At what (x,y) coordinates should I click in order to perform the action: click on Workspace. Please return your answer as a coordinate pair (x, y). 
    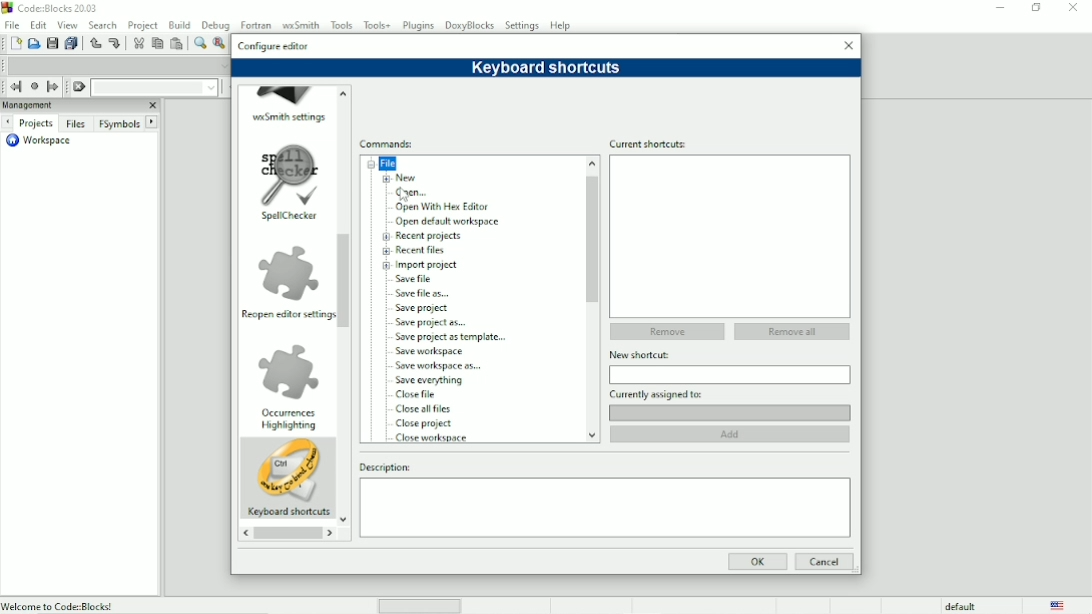
    Looking at the image, I should click on (43, 142).